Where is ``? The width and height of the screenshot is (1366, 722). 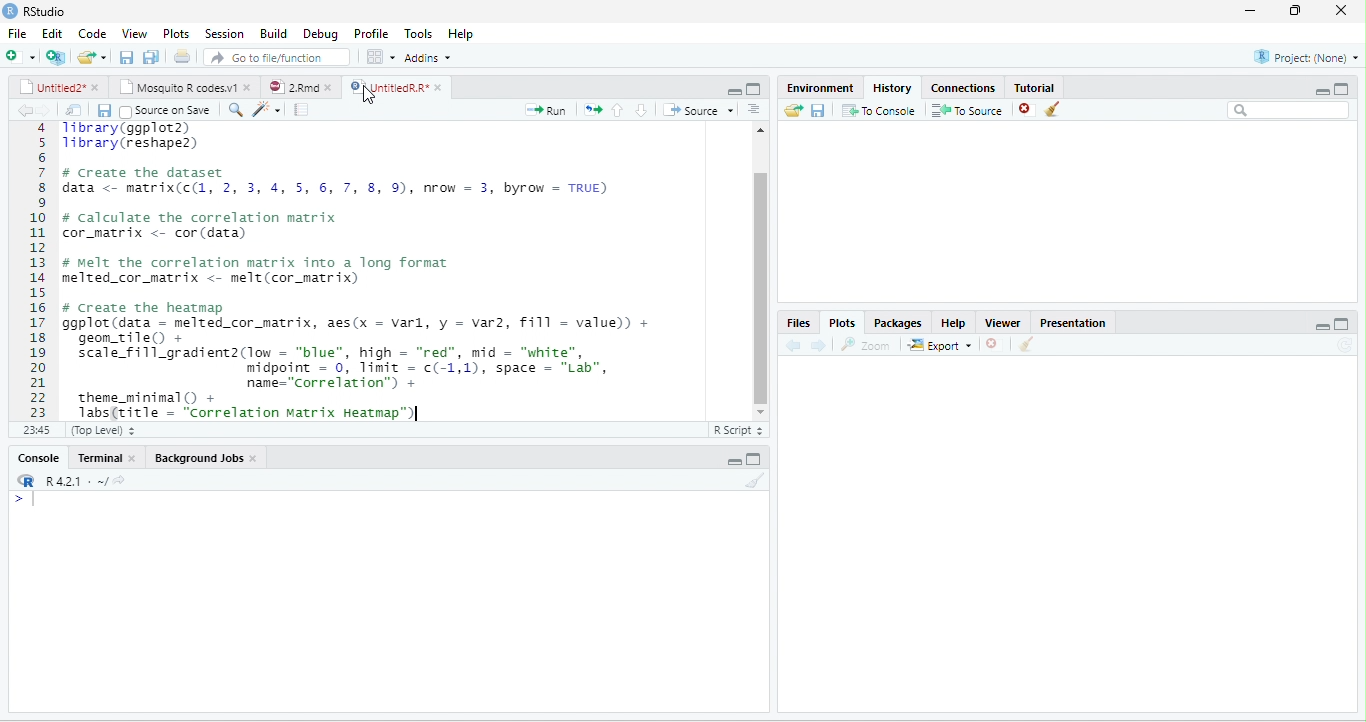  is located at coordinates (1305, 323).